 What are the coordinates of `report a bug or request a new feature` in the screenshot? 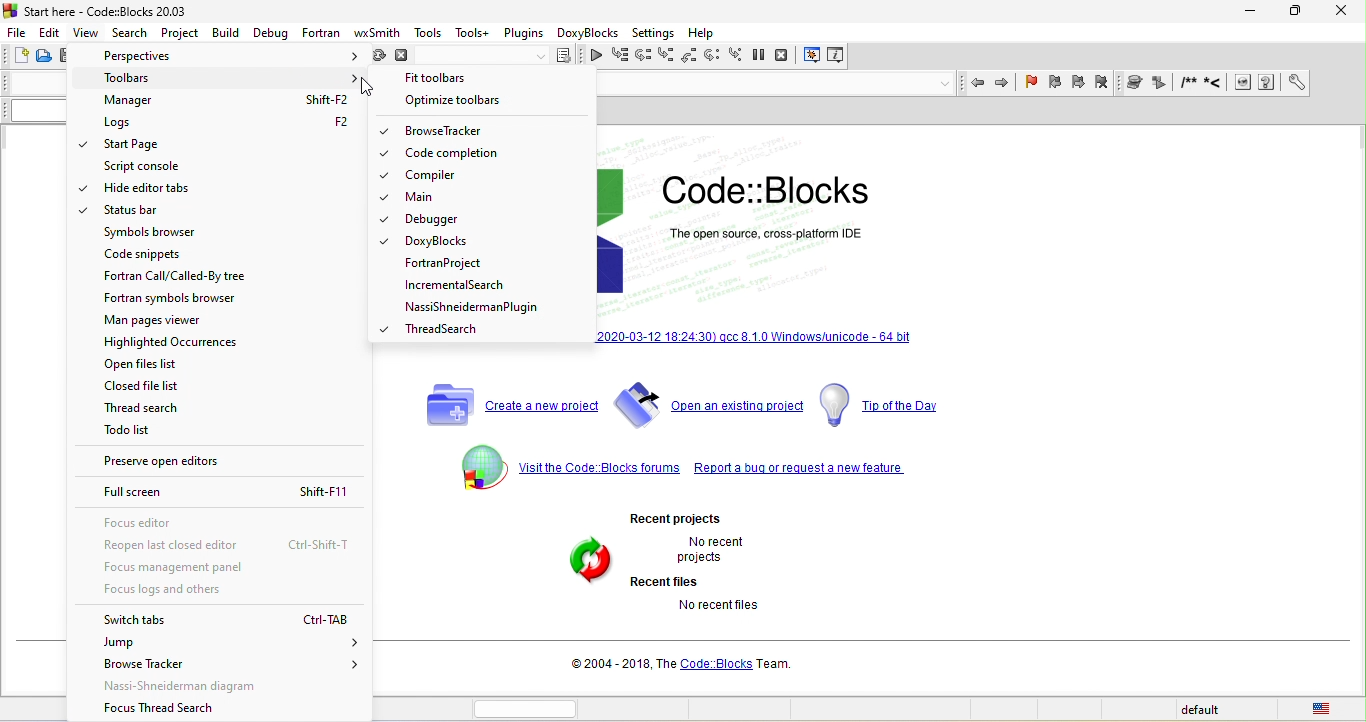 It's located at (802, 472).